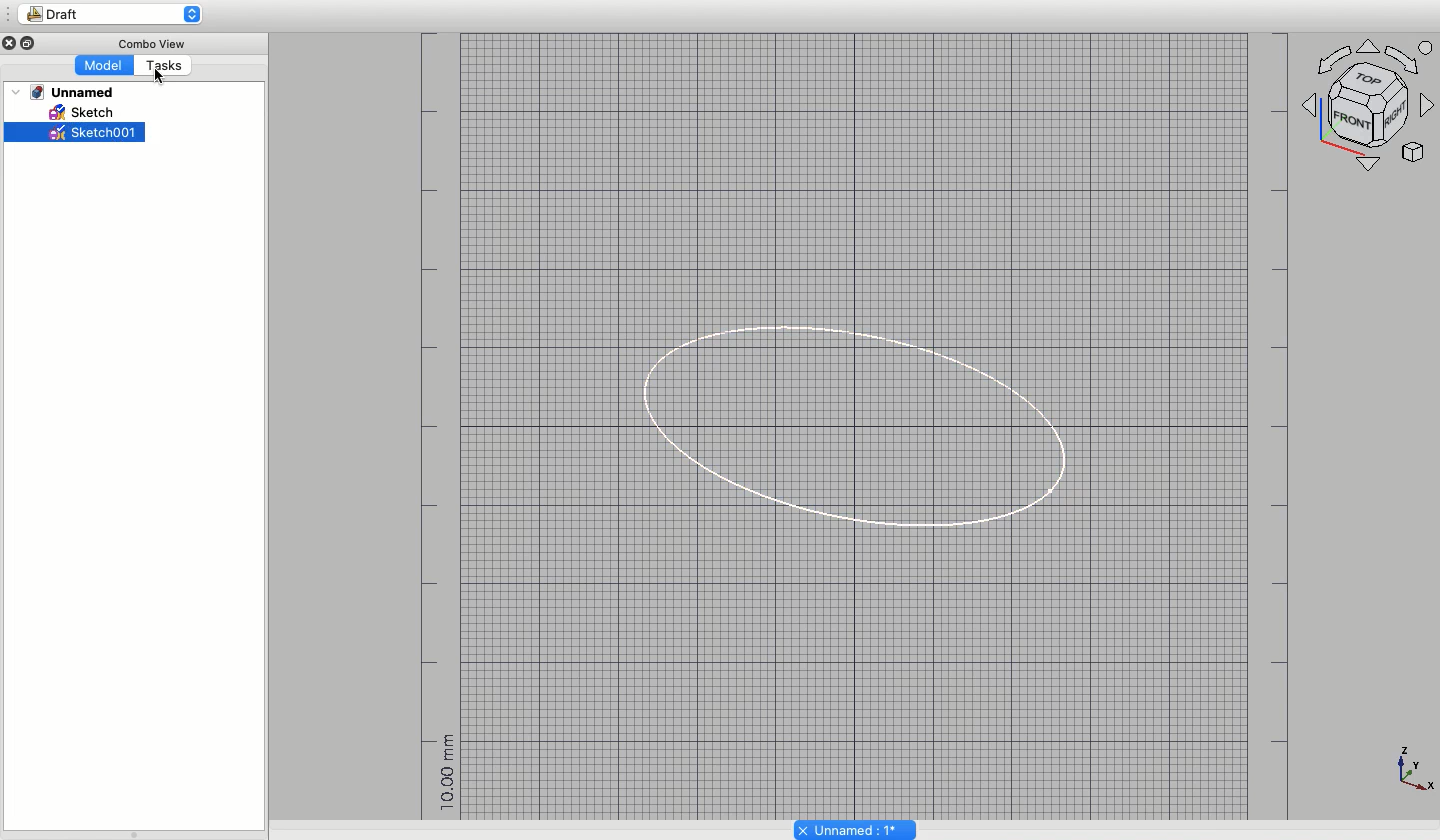 This screenshot has width=1440, height=840. Describe the element at coordinates (69, 91) in the screenshot. I see `Unnamed` at that location.